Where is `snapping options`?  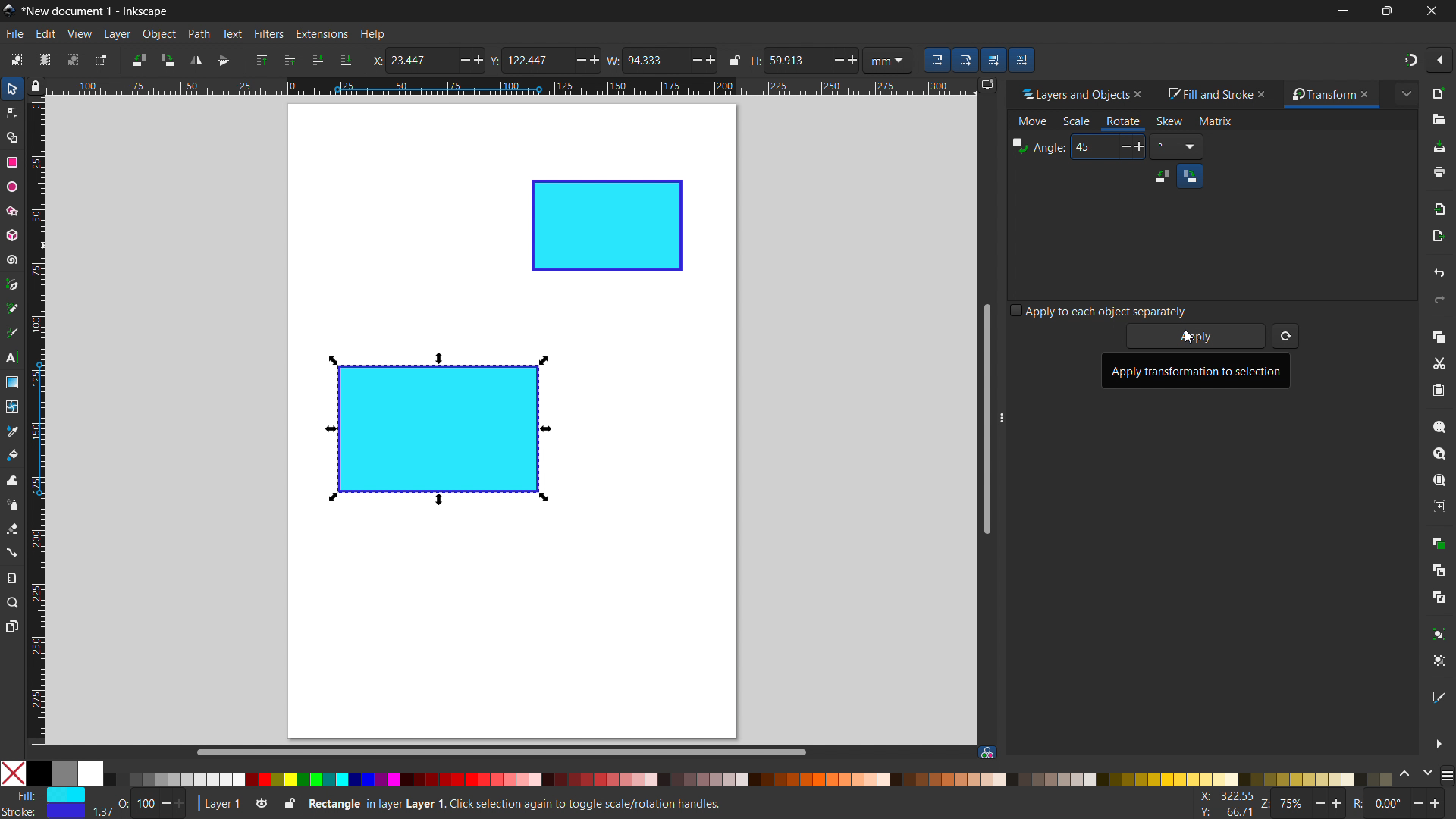
snapping options is located at coordinates (1439, 60).